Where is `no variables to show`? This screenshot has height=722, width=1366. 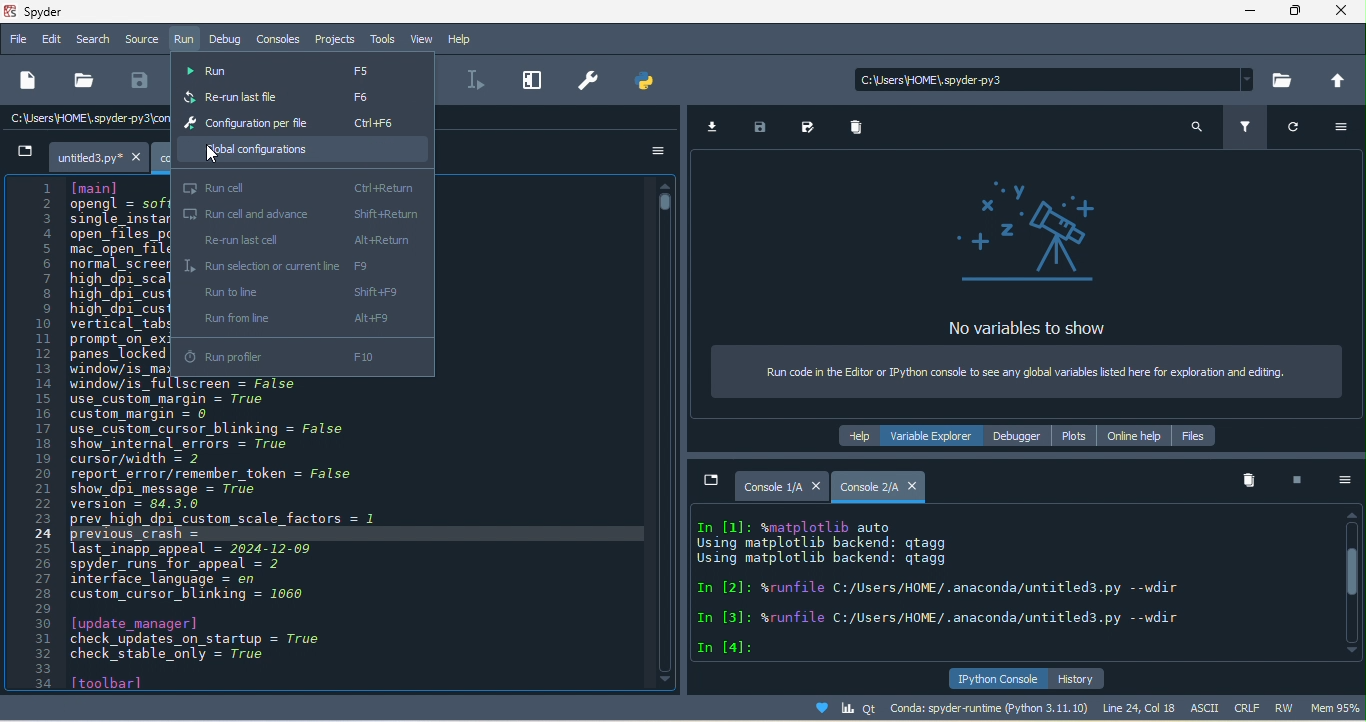 no variables to show is located at coordinates (1029, 253).